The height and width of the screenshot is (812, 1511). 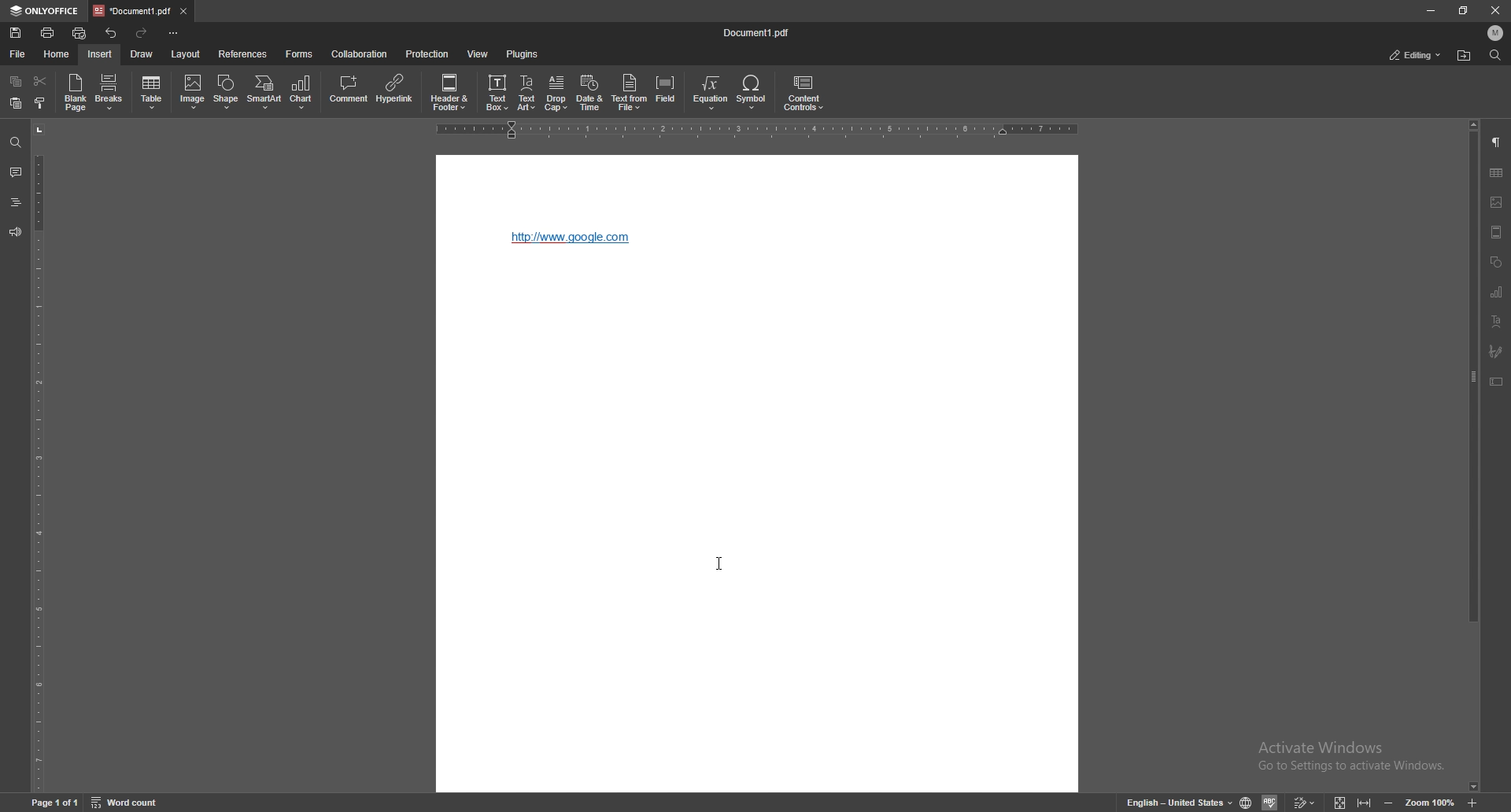 What do you see at coordinates (1497, 382) in the screenshot?
I see `text box` at bounding box center [1497, 382].